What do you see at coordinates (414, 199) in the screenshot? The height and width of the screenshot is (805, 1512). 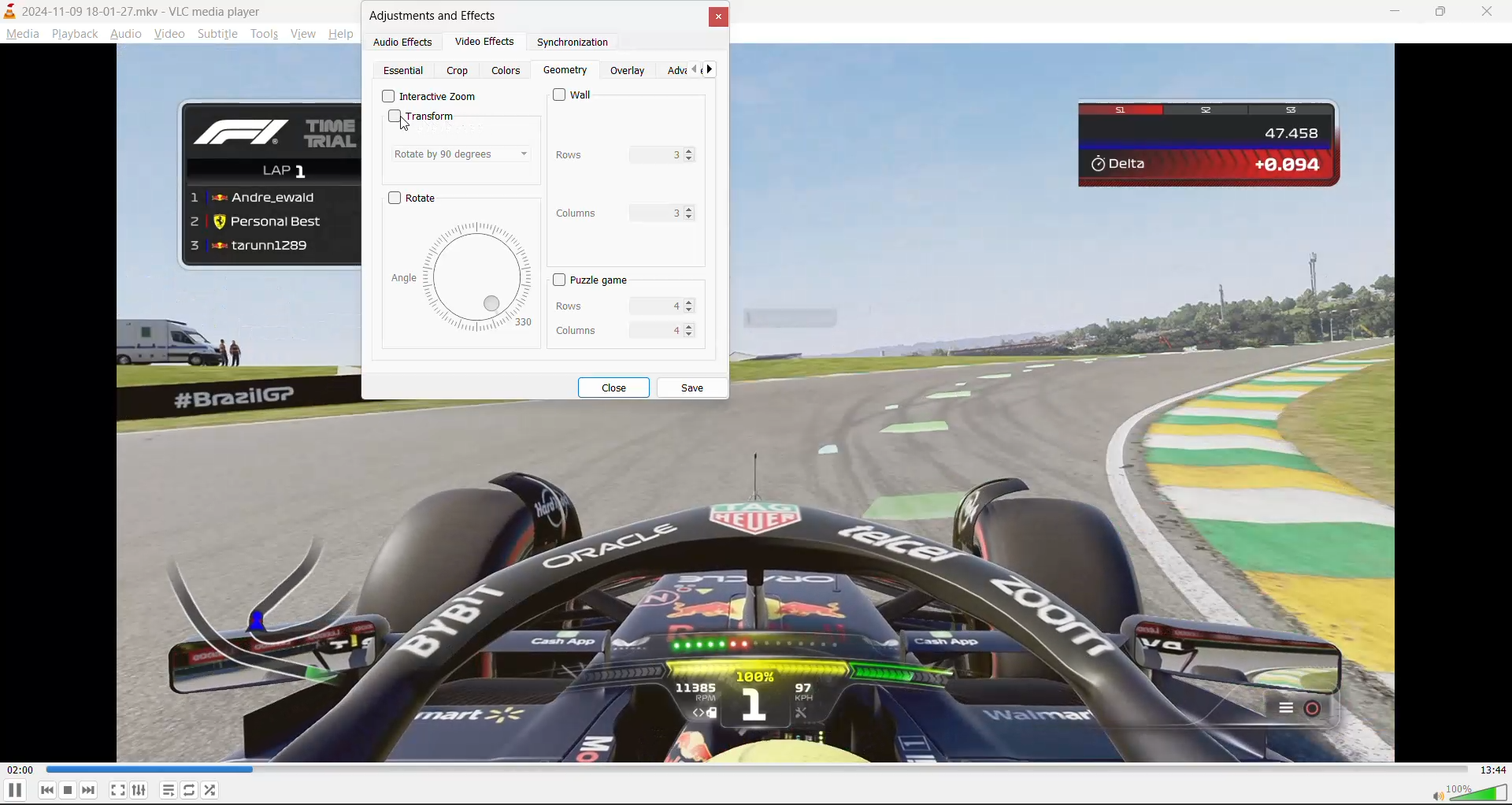 I see `rotate` at bounding box center [414, 199].